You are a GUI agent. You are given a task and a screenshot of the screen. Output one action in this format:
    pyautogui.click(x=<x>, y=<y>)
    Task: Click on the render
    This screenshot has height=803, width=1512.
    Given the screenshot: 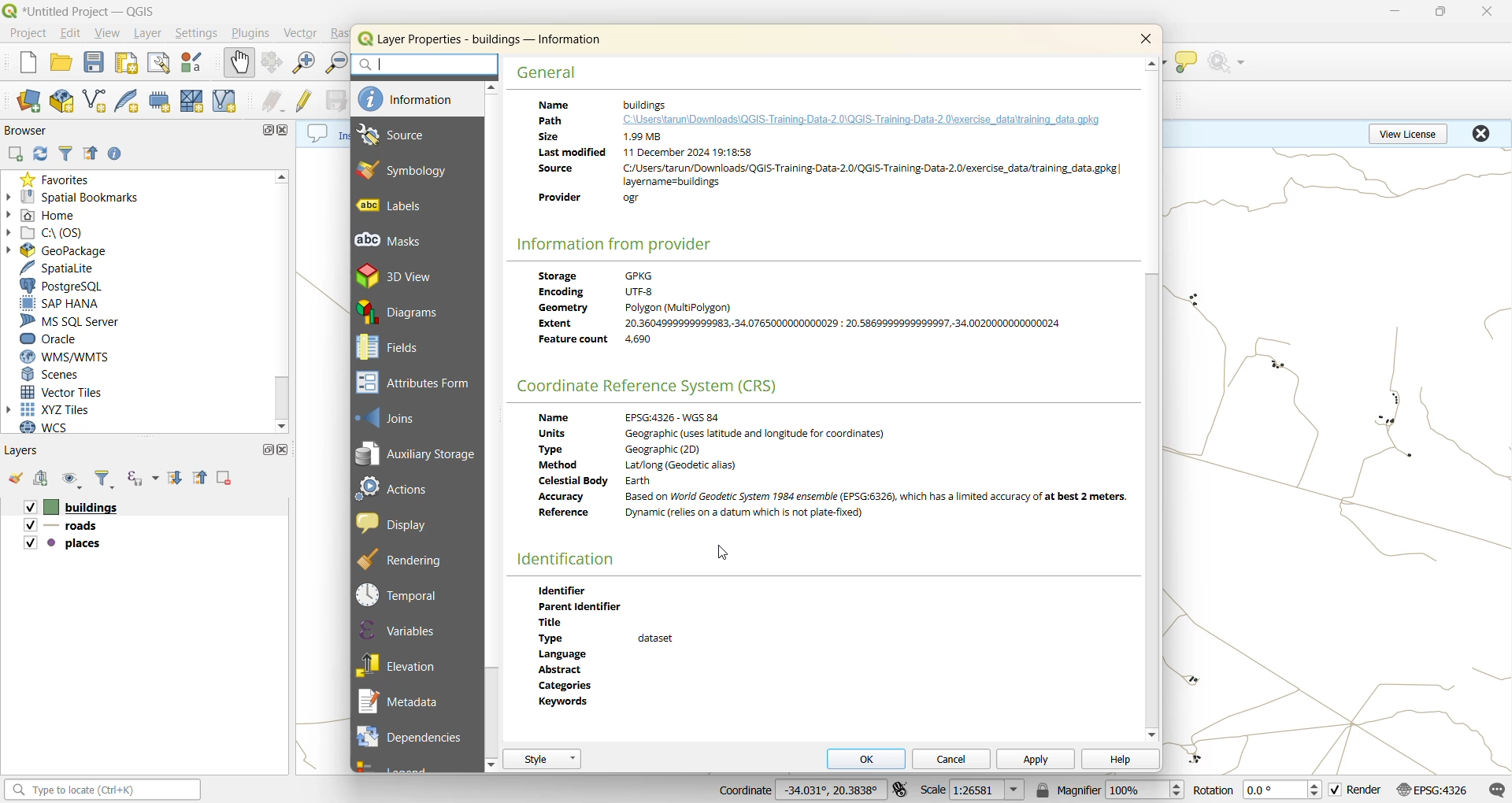 What is the action you would take?
    pyautogui.click(x=1355, y=790)
    